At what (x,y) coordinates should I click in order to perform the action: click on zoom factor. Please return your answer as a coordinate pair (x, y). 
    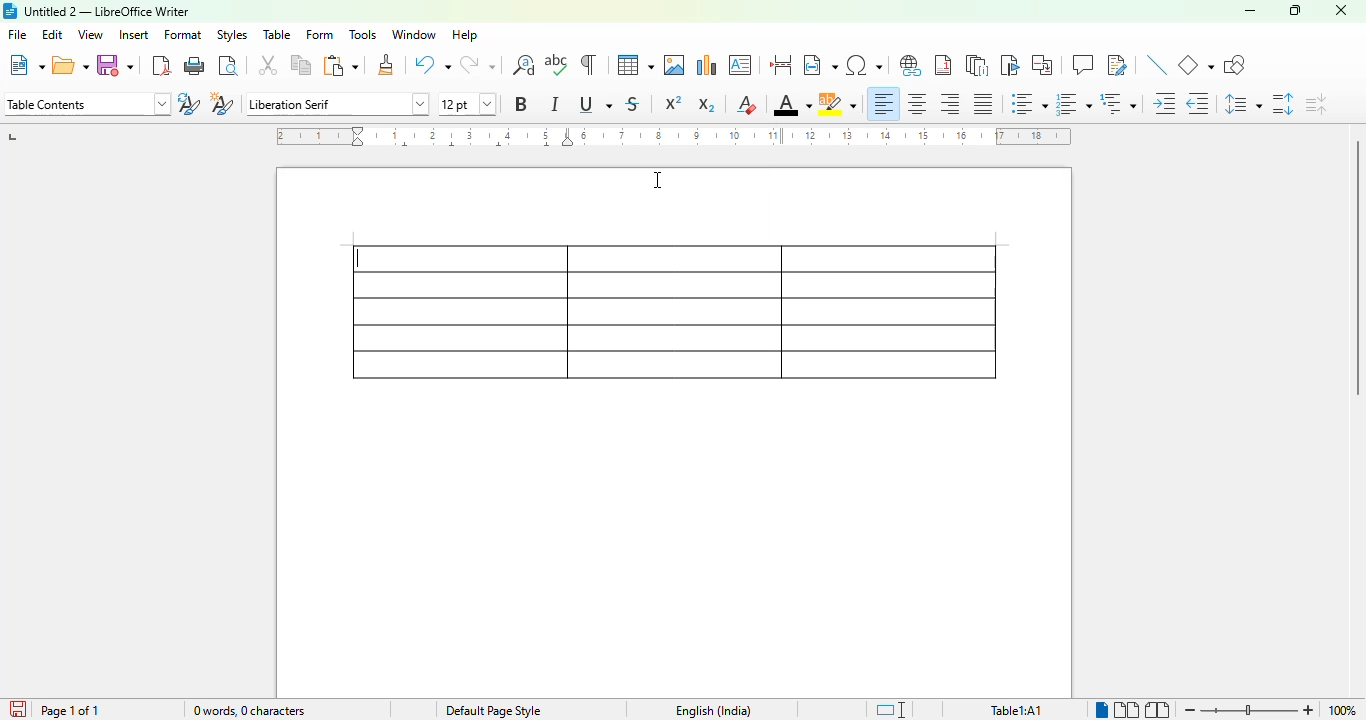
    Looking at the image, I should click on (1341, 710).